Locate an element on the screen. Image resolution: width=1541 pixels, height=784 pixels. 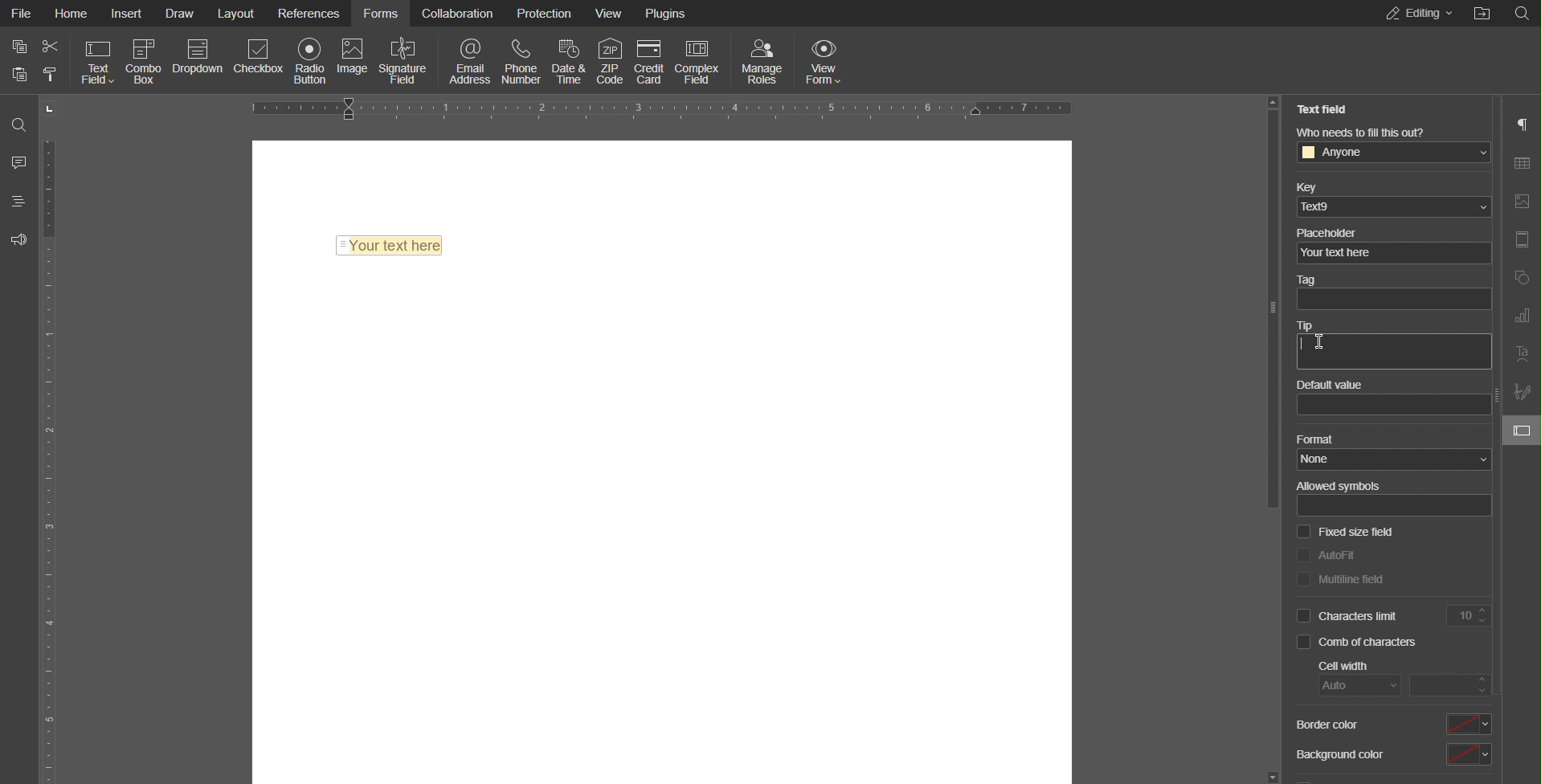
Editing is located at coordinates (1418, 14).